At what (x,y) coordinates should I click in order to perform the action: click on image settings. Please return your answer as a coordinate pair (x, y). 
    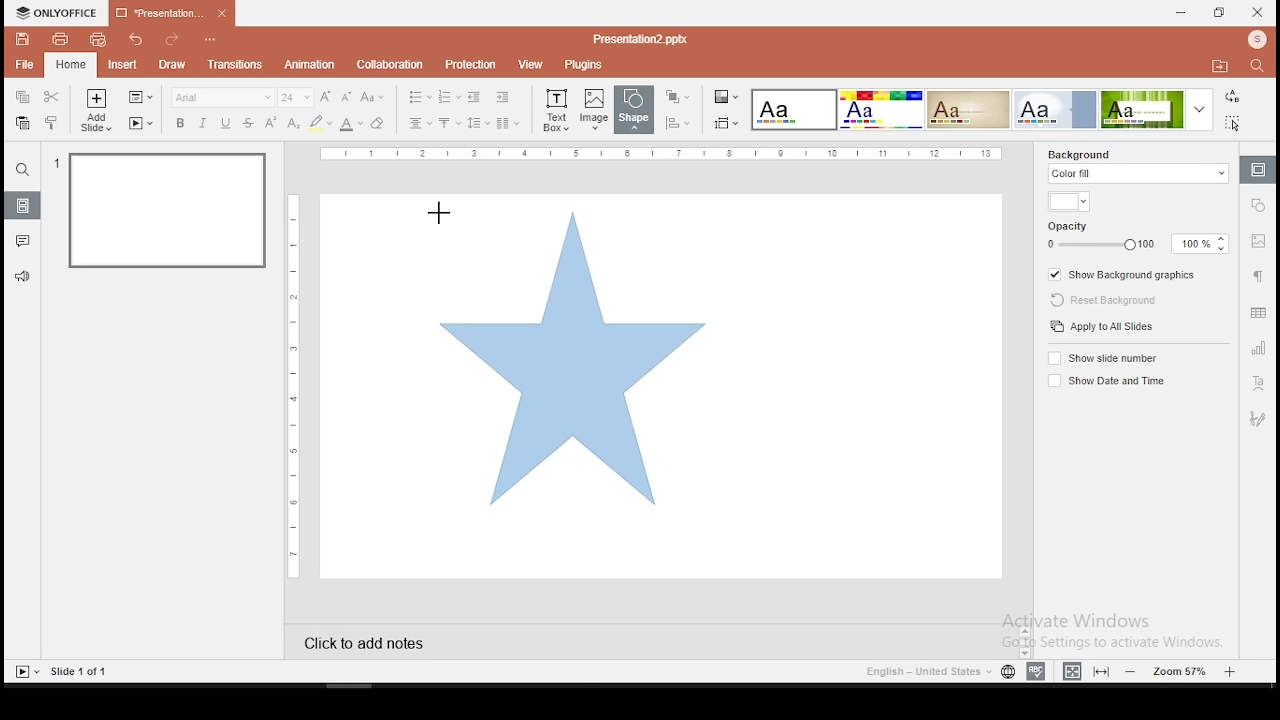
    Looking at the image, I should click on (1259, 241).